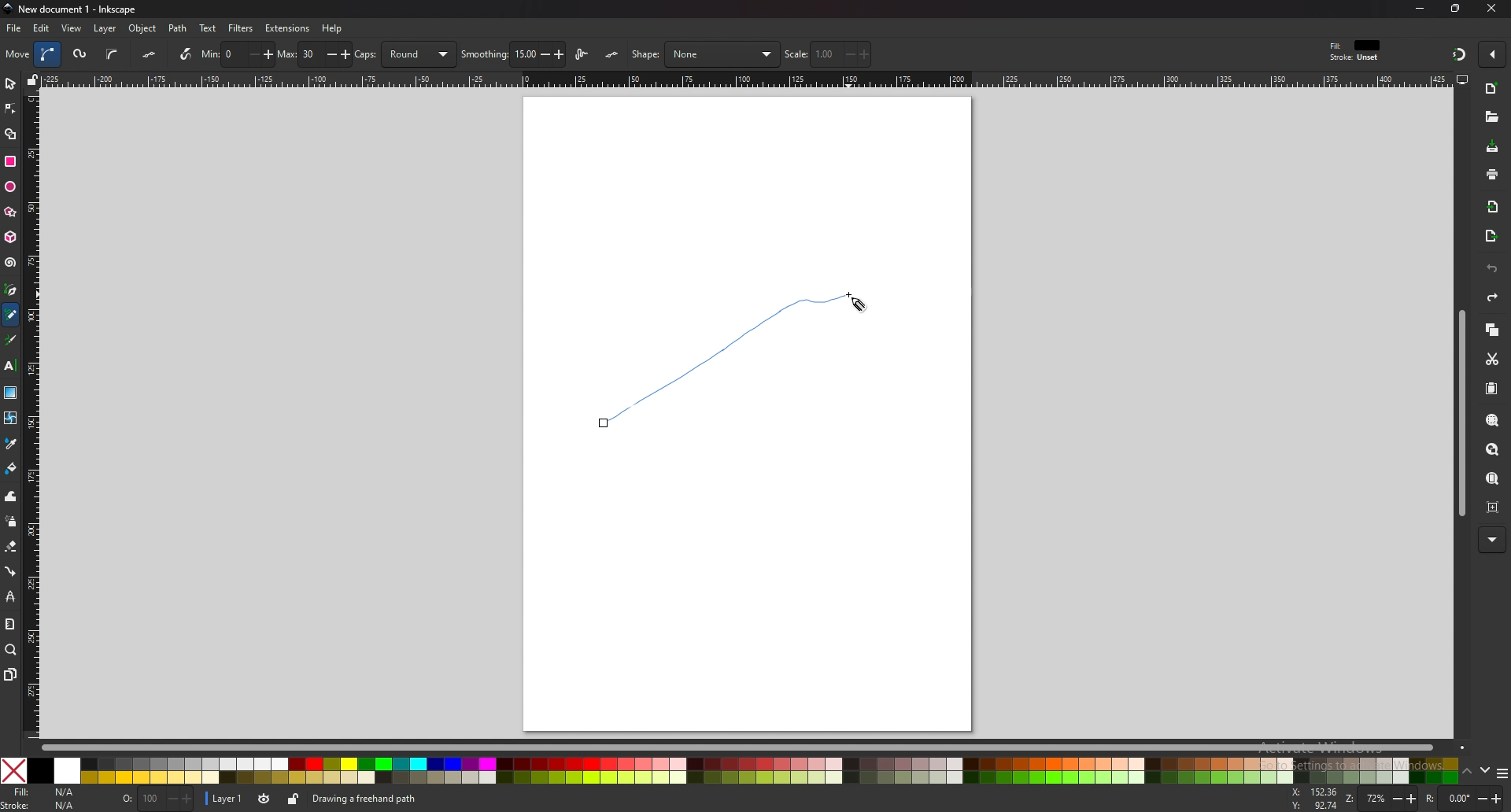 Image resolution: width=1511 pixels, height=812 pixels. I want to click on smoothing, so click(512, 53).